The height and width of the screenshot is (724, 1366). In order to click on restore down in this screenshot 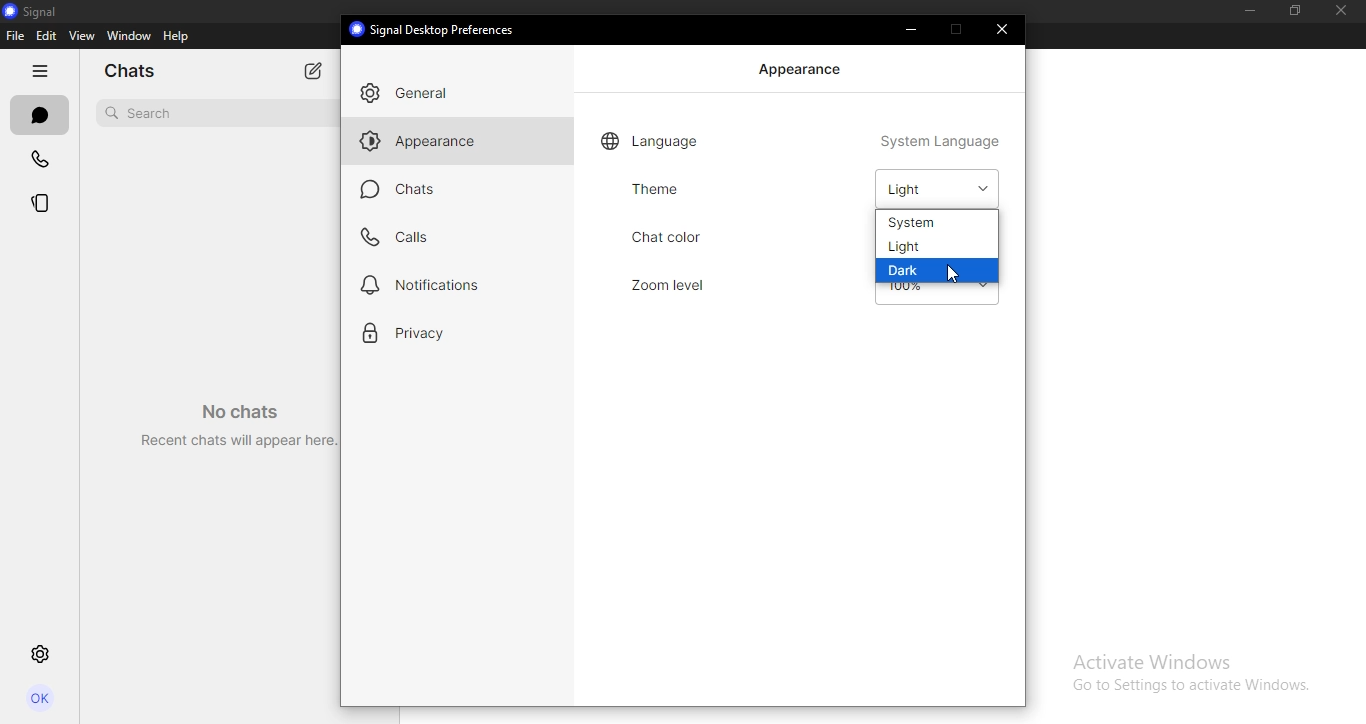, I will do `click(1290, 11)`.